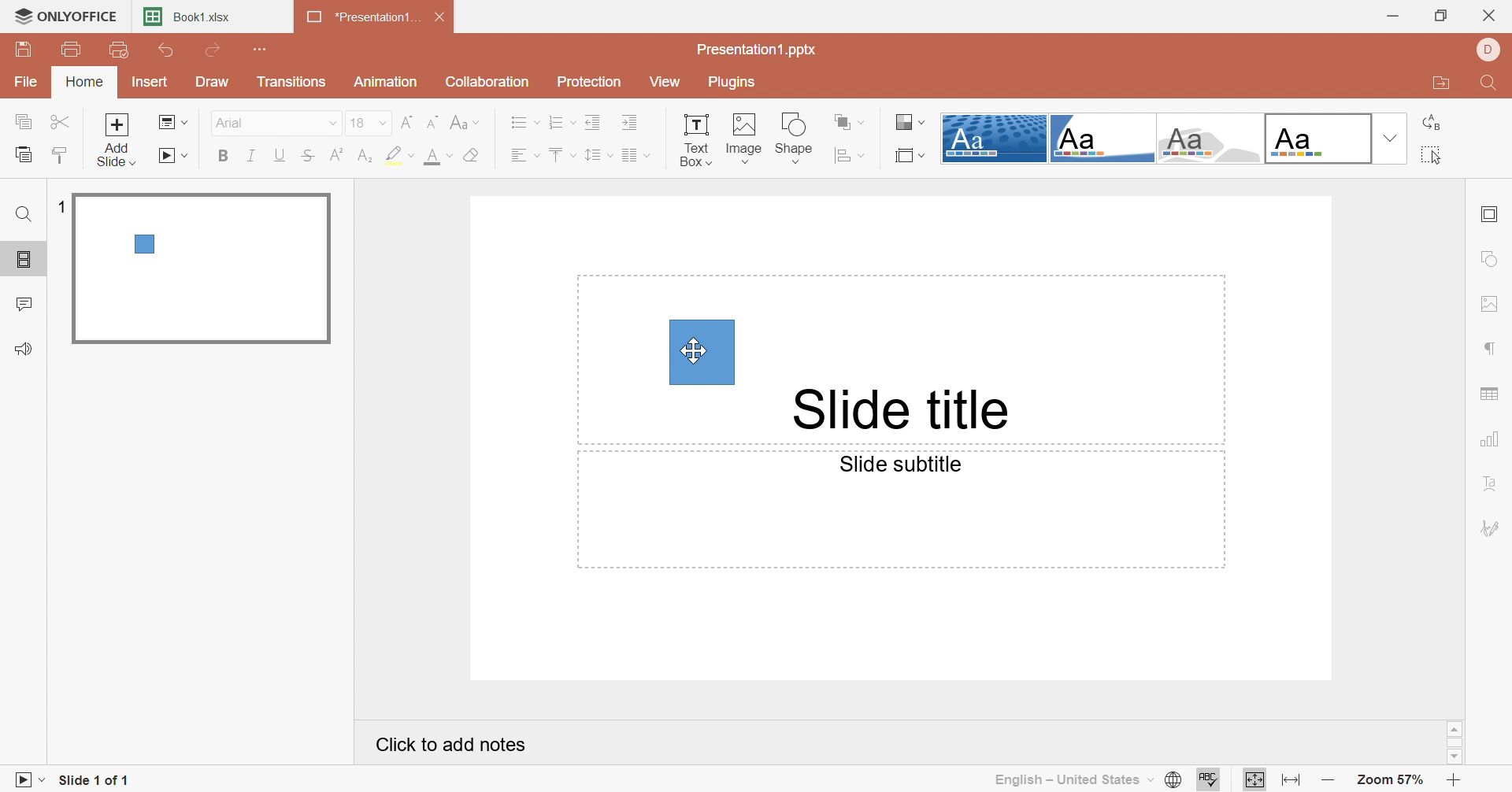  What do you see at coordinates (28, 83) in the screenshot?
I see `File` at bounding box center [28, 83].